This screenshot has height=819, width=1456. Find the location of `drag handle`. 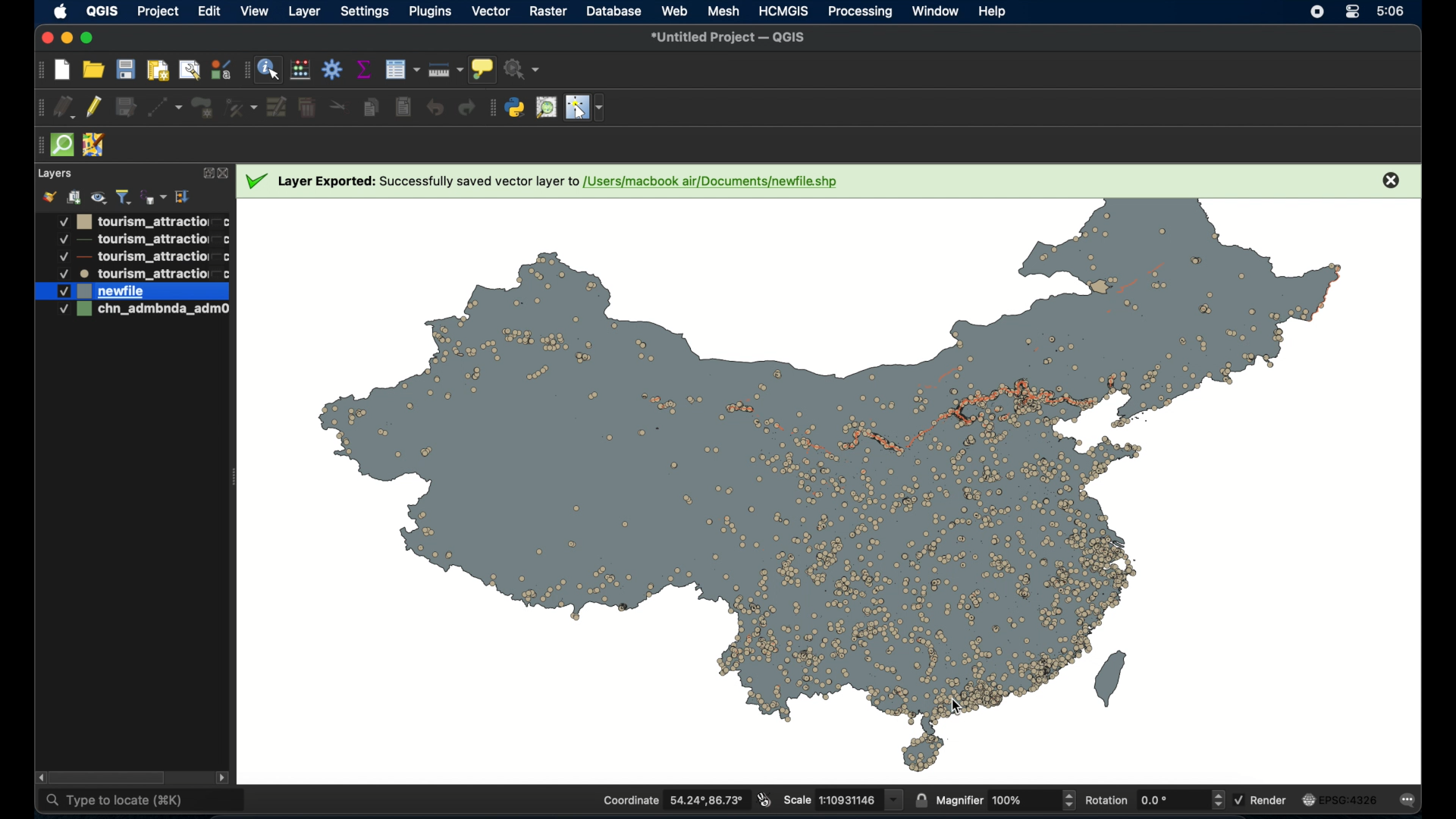

drag handle is located at coordinates (491, 107).